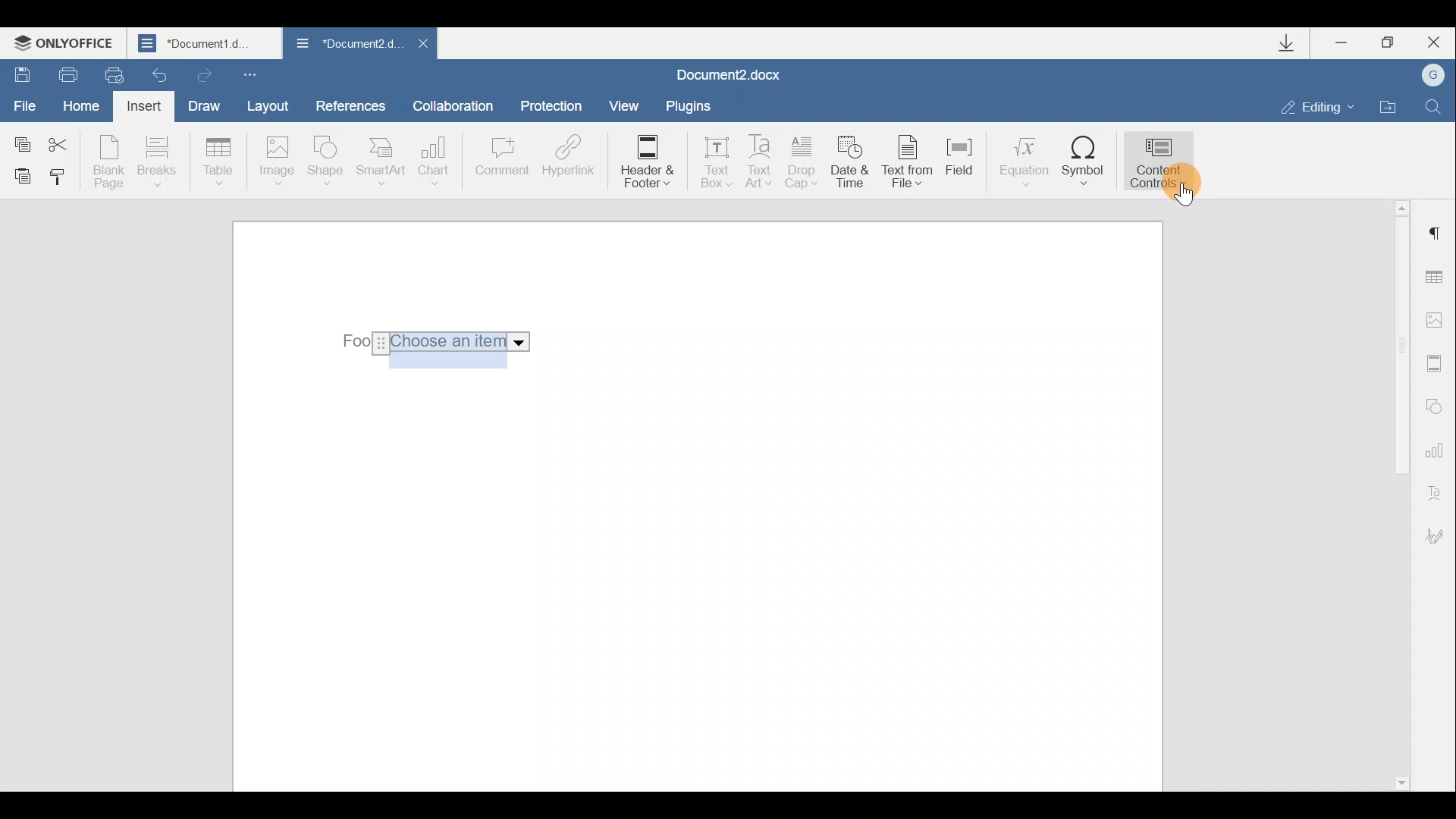 Image resolution: width=1456 pixels, height=819 pixels. I want to click on Image, so click(276, 162).